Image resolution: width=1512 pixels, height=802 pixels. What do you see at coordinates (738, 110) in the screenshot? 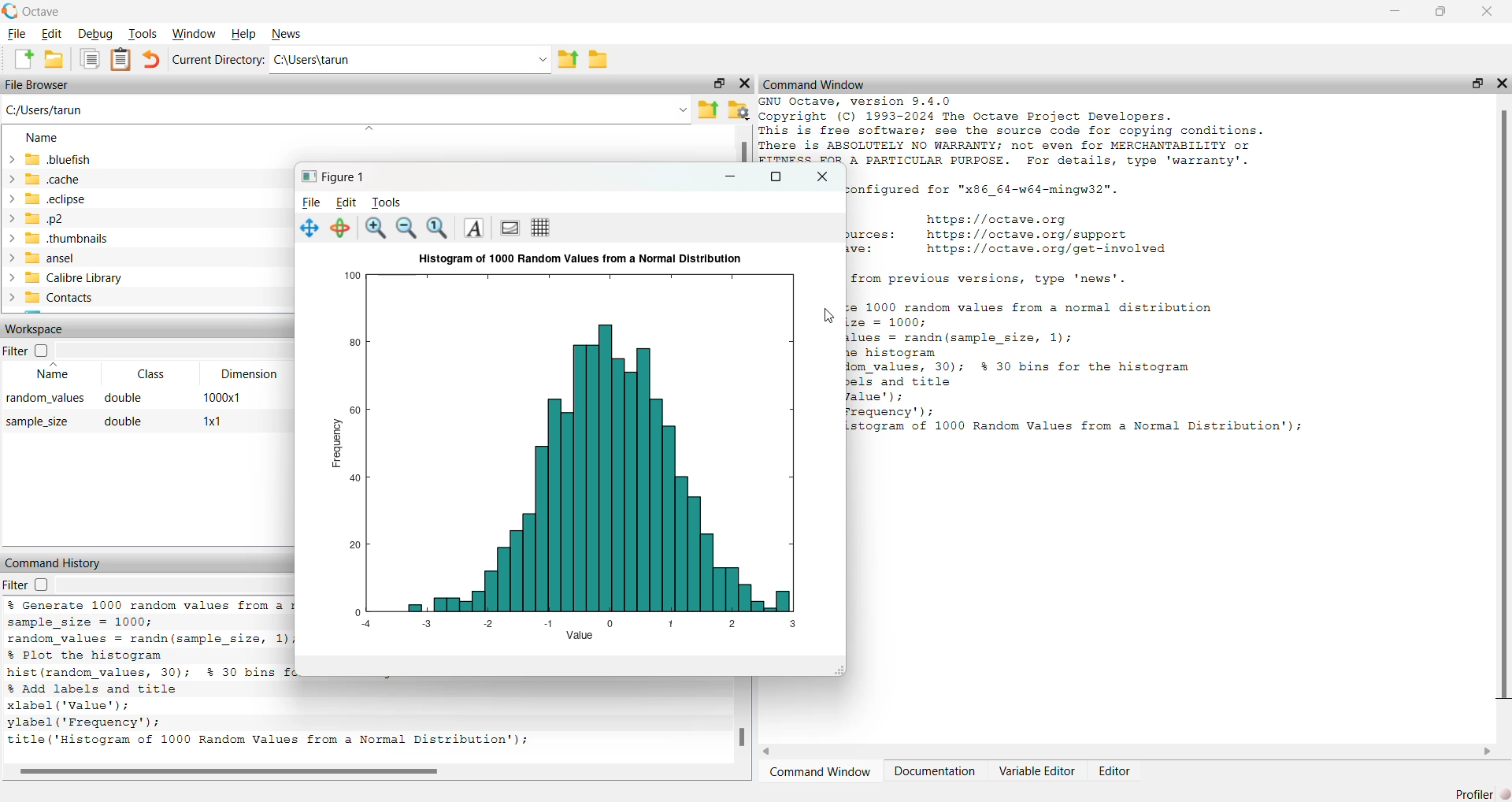
I see `Folder settings` at bounding box center [738, 110].